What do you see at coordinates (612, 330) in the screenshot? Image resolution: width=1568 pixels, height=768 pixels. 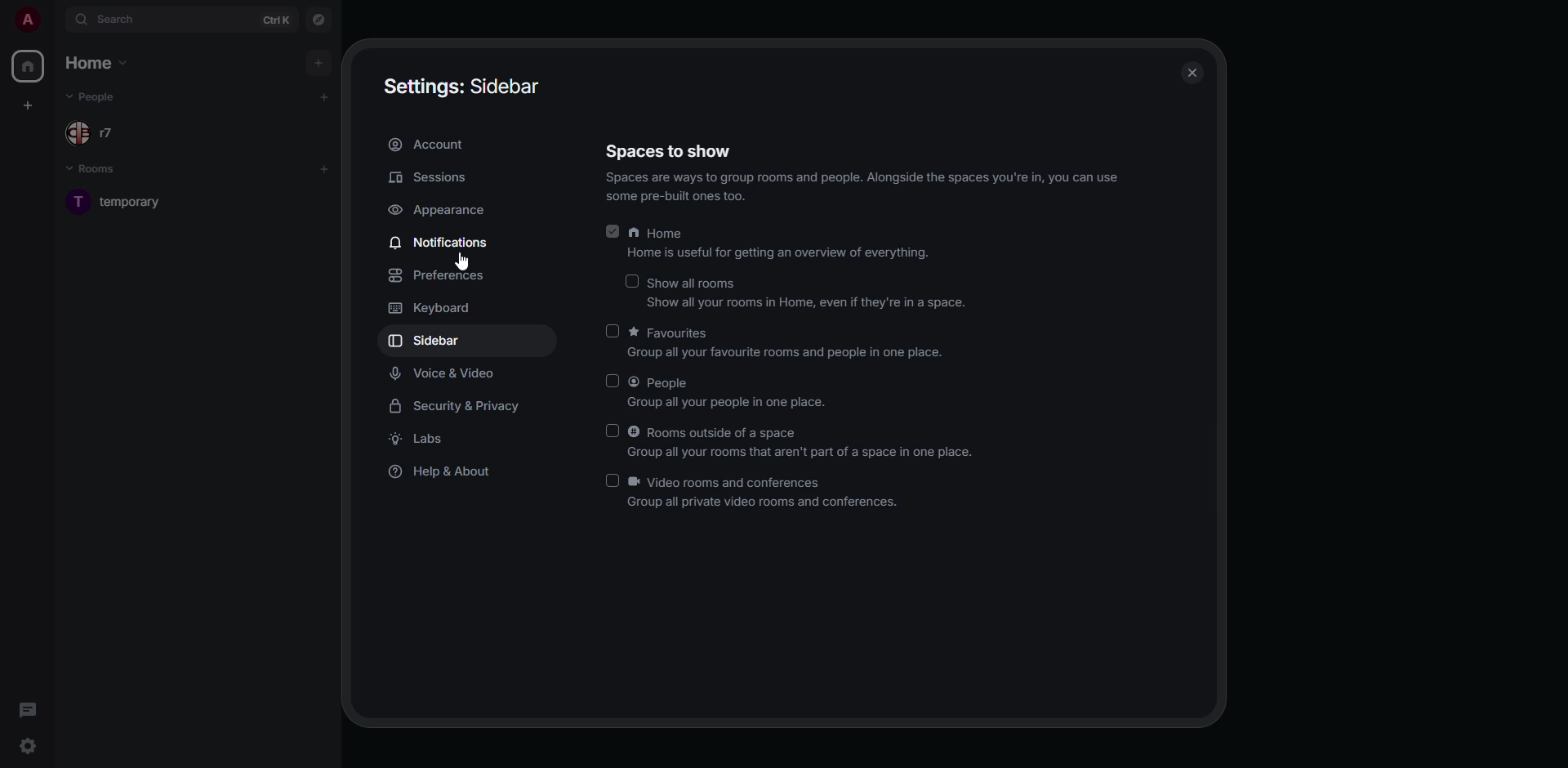 I see `click to enable` at bounding box center [612, 330].